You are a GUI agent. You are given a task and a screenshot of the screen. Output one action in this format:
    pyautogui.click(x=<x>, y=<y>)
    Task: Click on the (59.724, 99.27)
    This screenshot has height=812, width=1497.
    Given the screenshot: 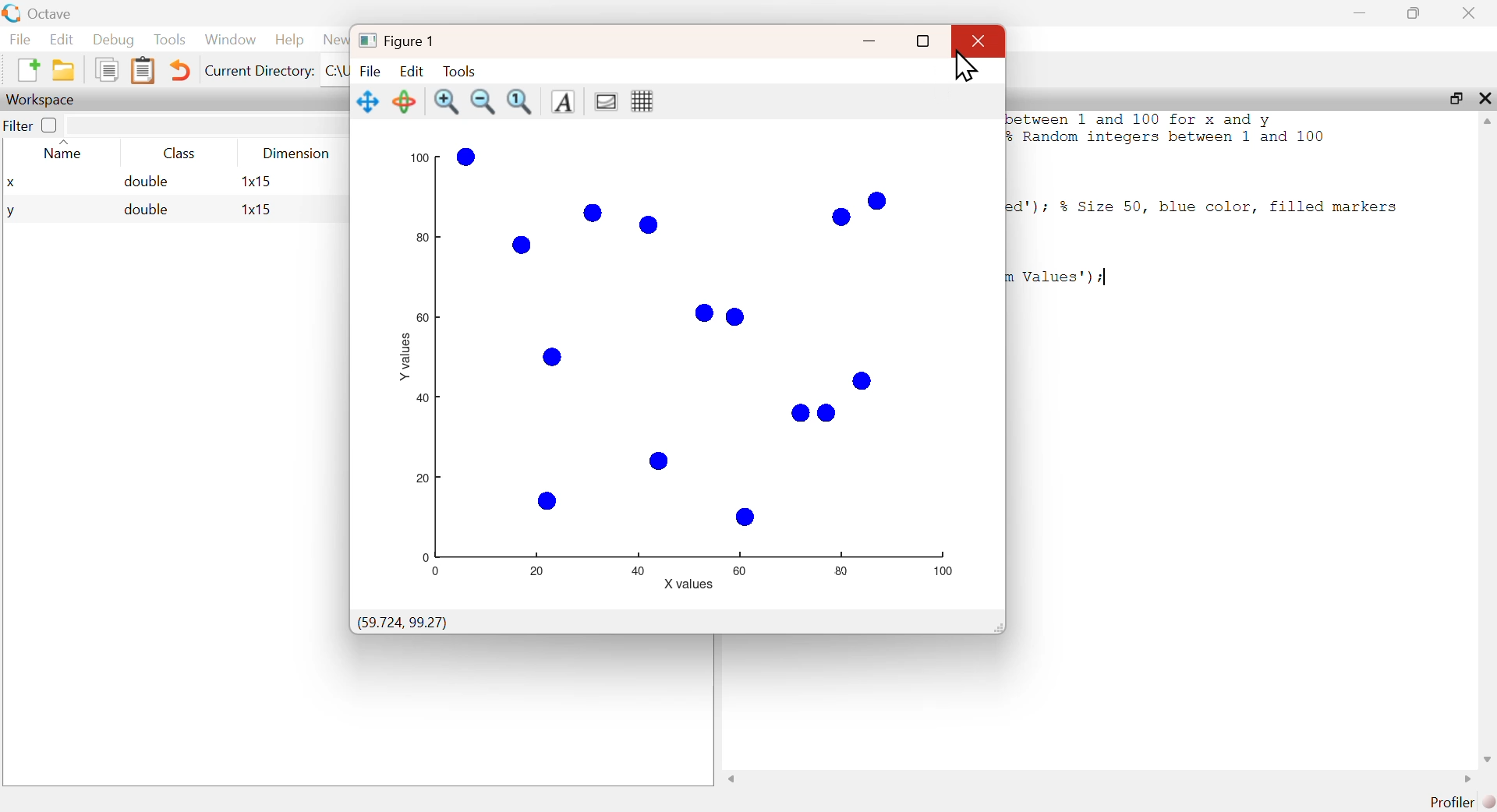 What is the action you would take?
    pyautogui.click(x=402, y=623)
    